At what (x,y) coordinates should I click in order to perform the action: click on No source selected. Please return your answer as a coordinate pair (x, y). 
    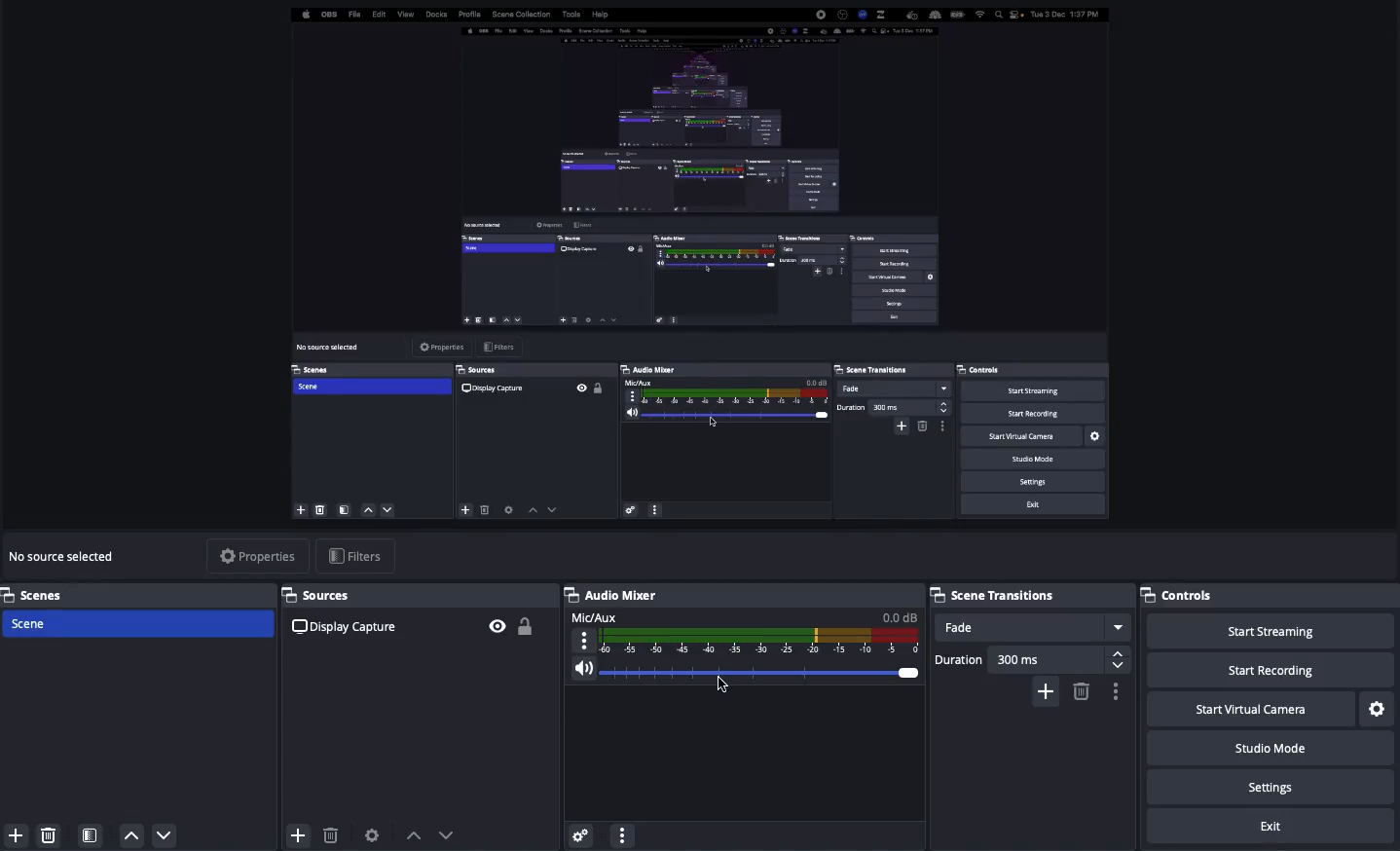
    Looking at the image, I should click on (66, 556).